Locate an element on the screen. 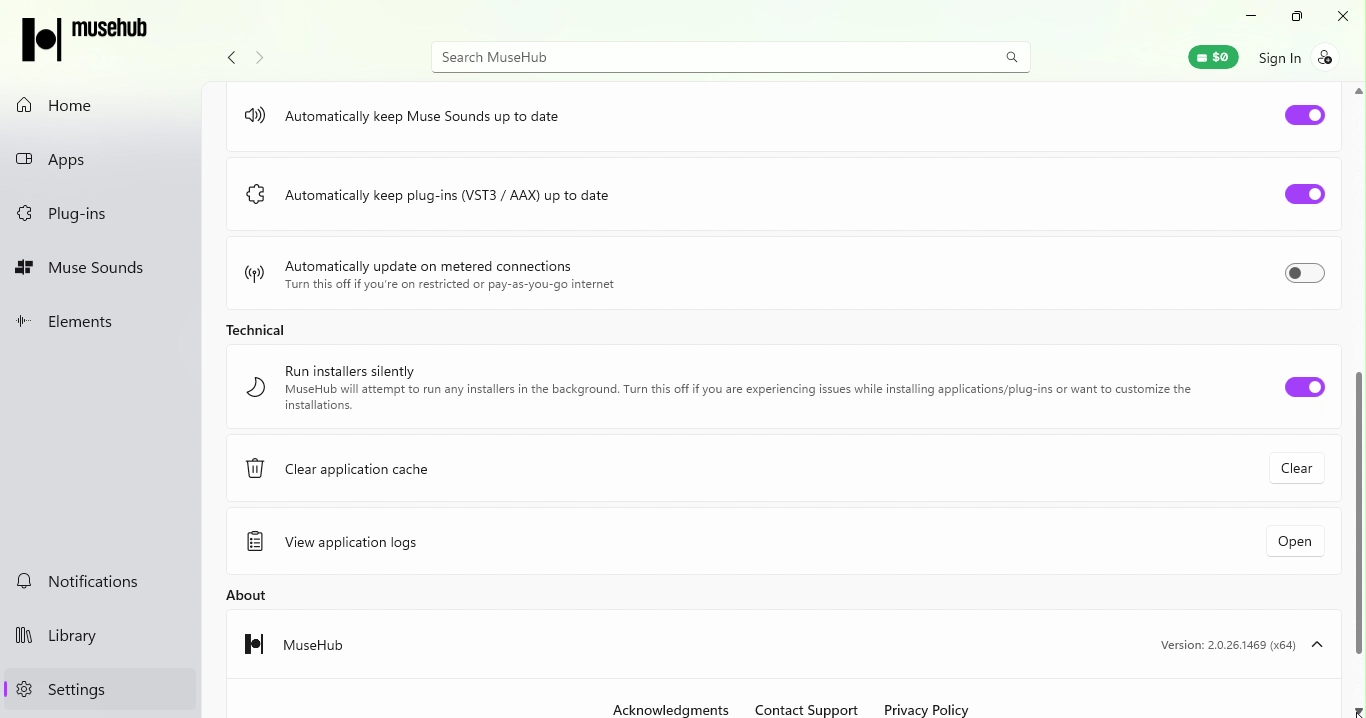 This screenshot has width=1366, height=718. Clear application cache is located at coordinates (341, 464).